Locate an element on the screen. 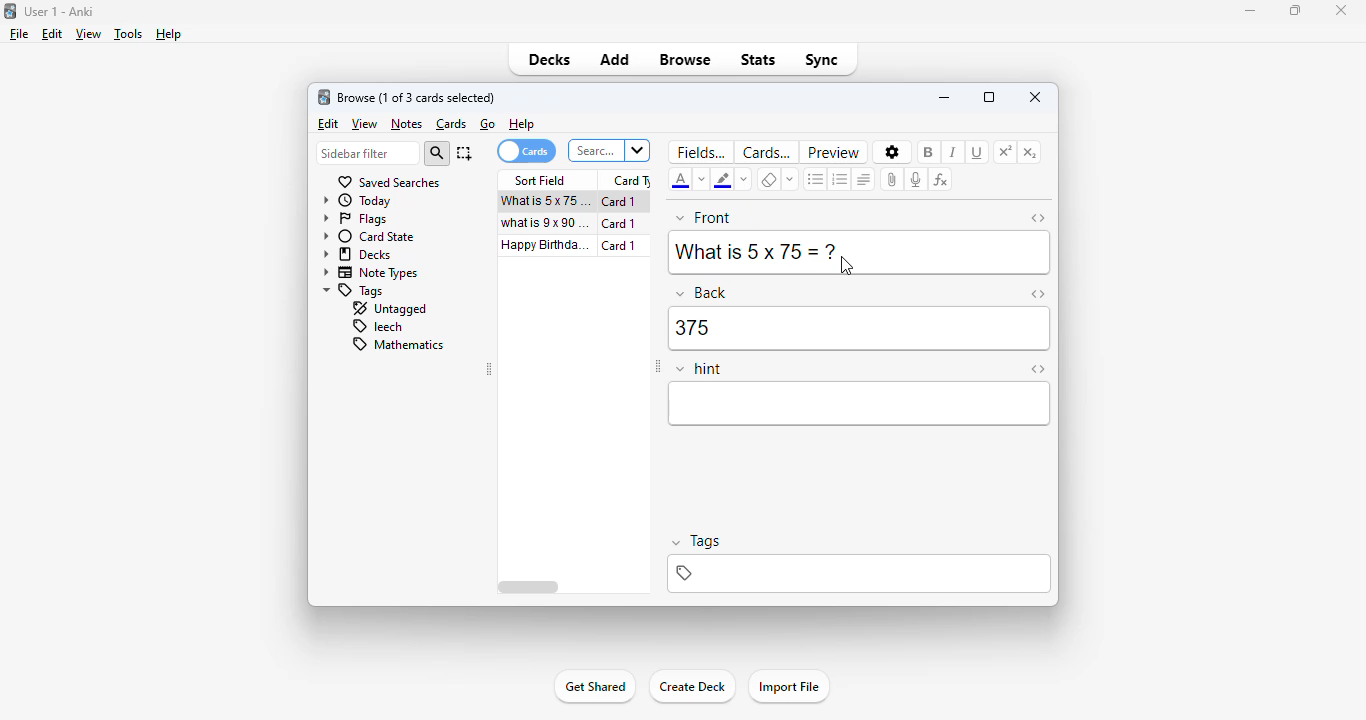 The width and height of the screenshot is (1366, 720). editor is located at coordinates (860, 404).